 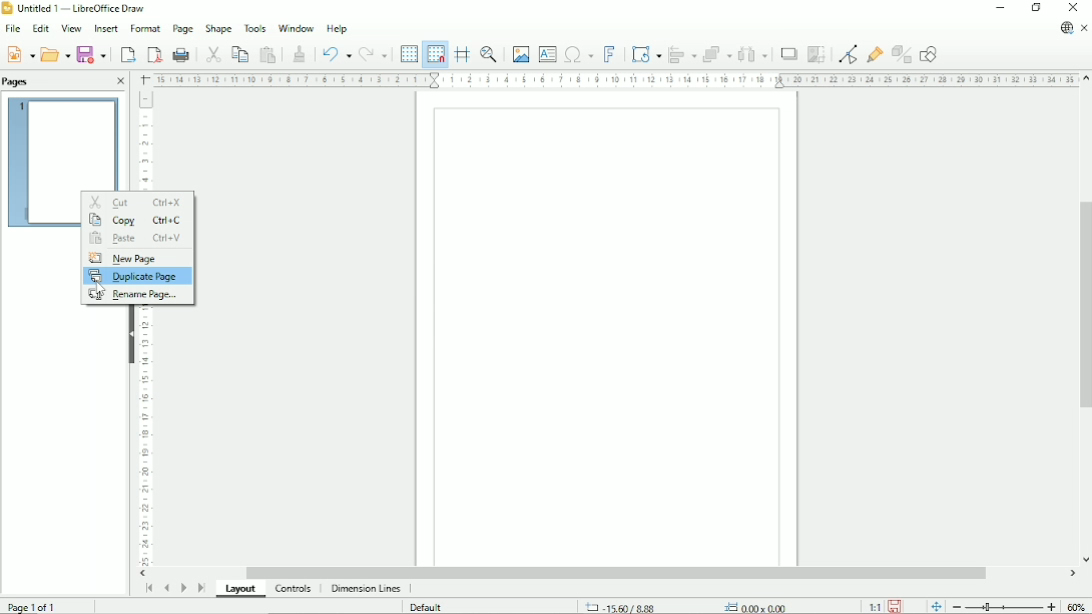 I want to click on Cursor position, so click(x=690, y=606).